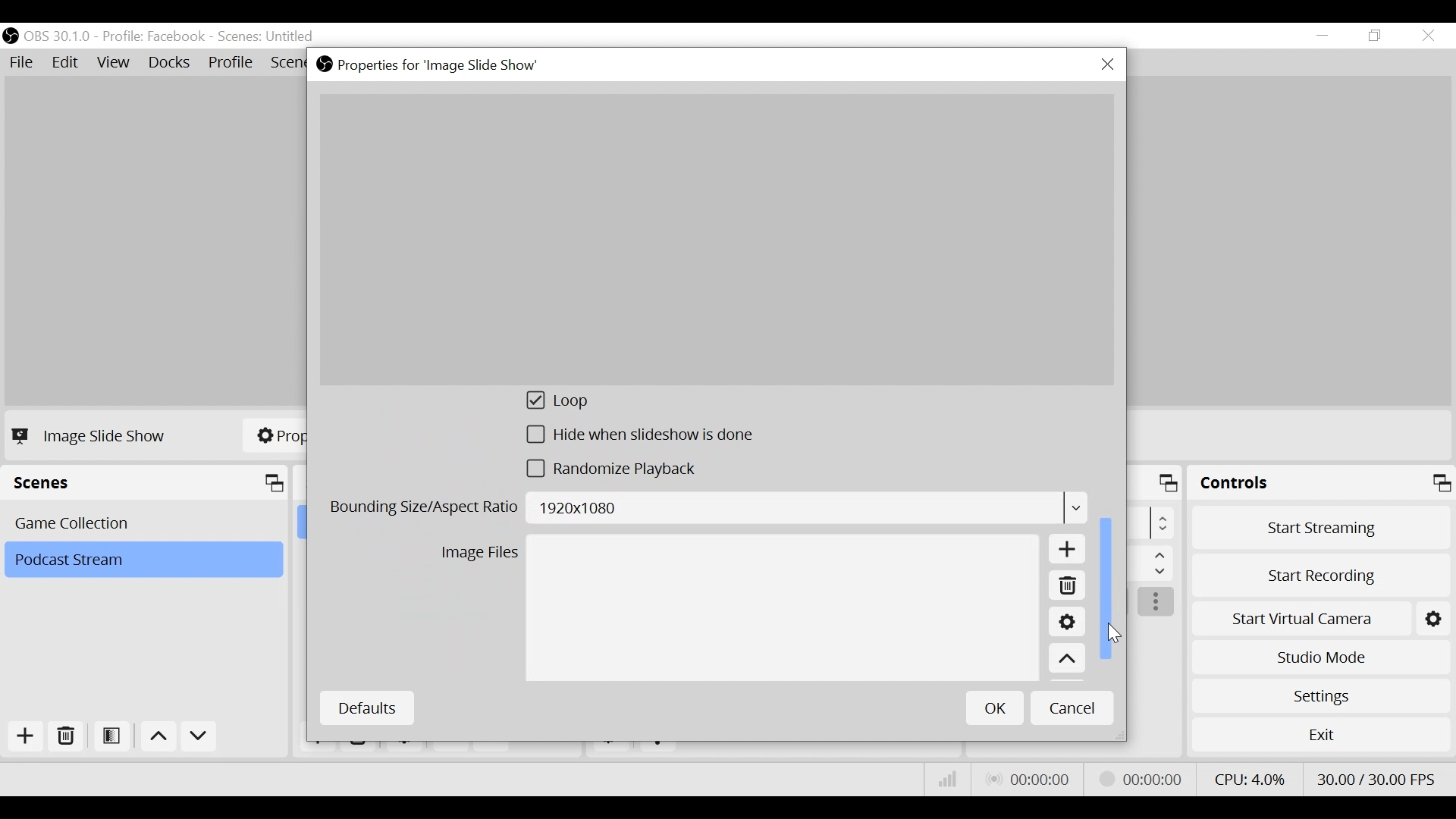 The width and height of the screenshot is (1456, 819). Describe the element at coordinates (268, 37) in the screenshot. I see `Scene` at that location.